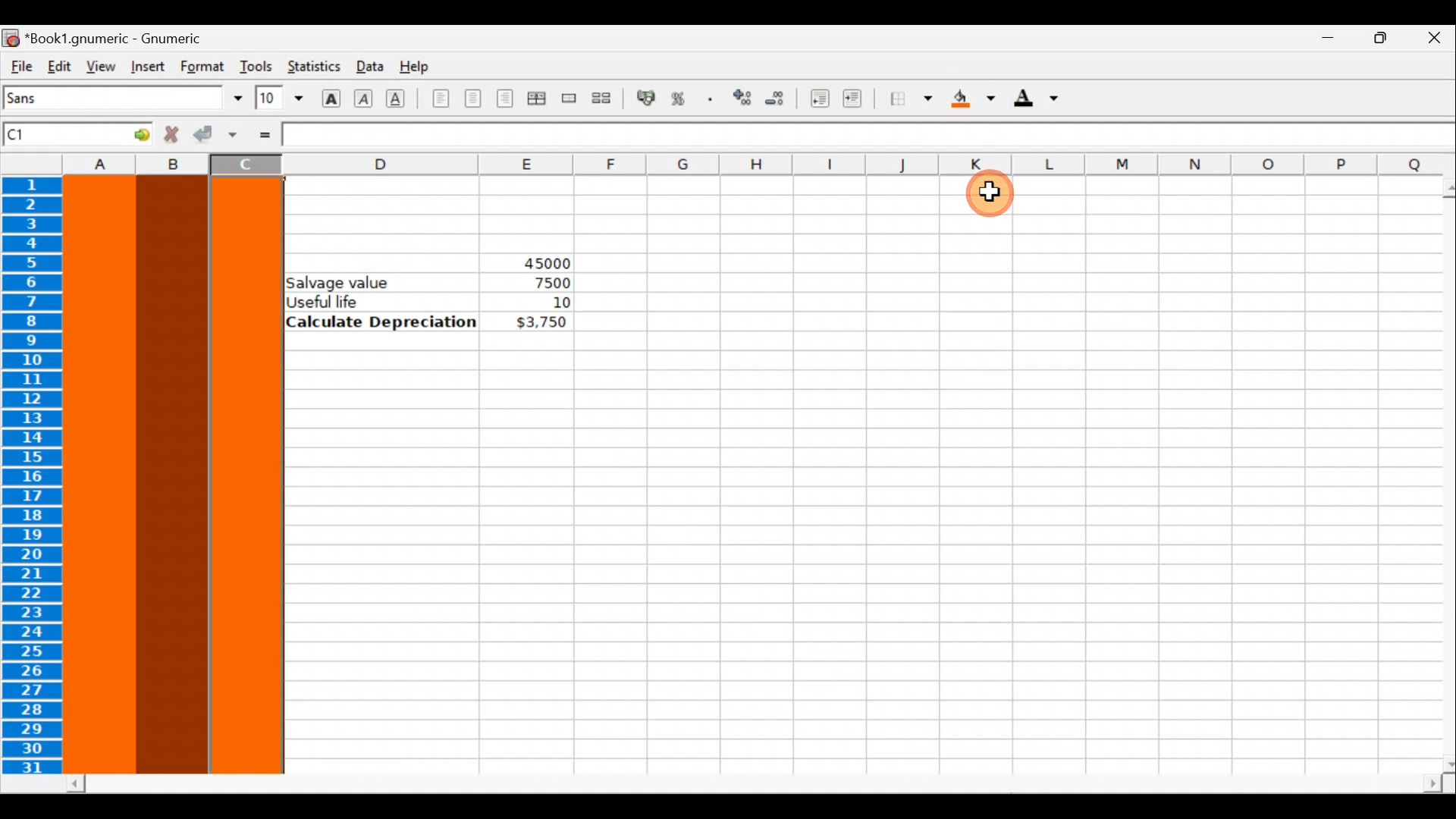 The width and height of the screenshot is (1456, 819). I want to click on Font size 10, so click(279, 99).